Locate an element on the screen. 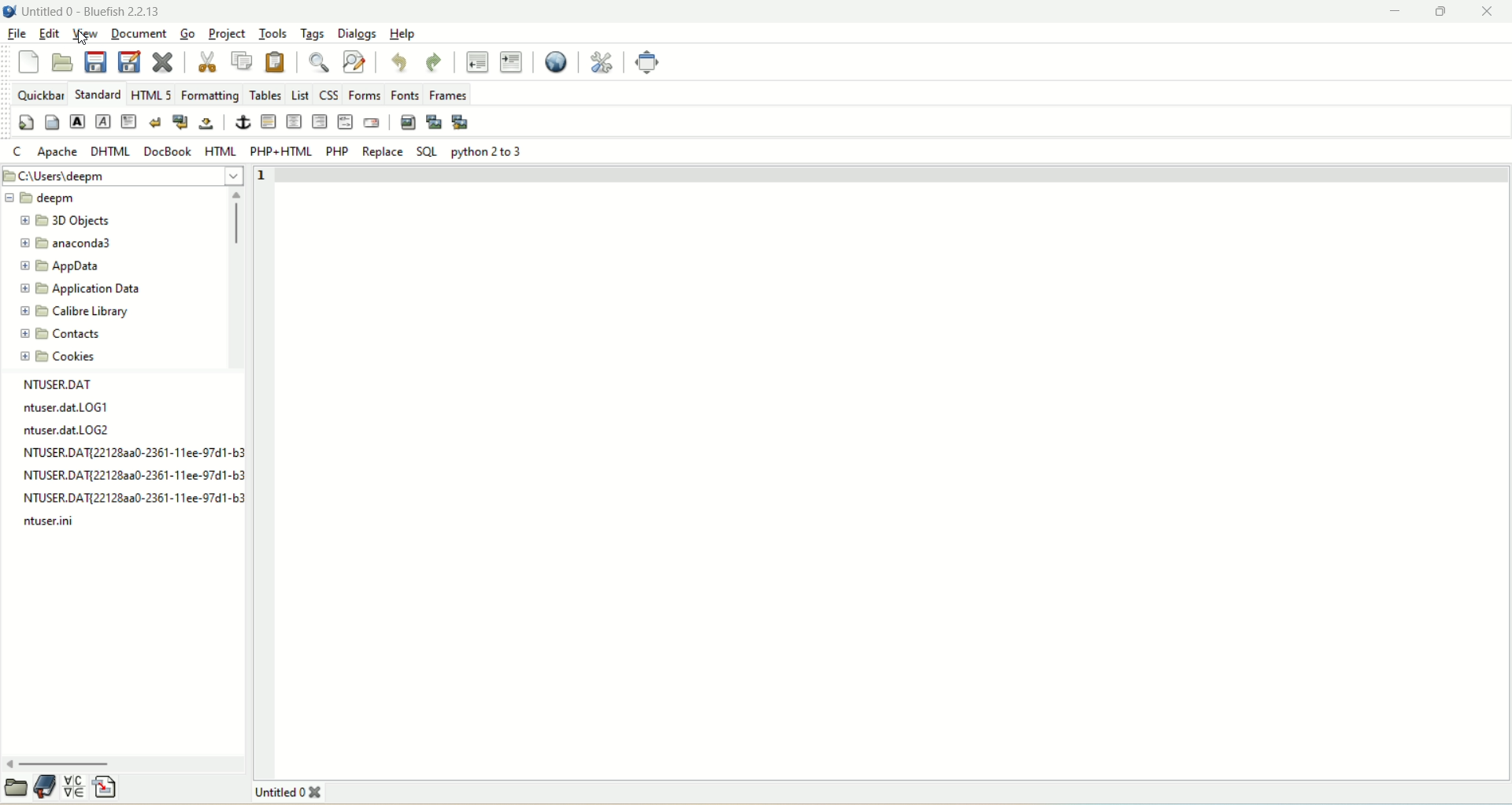 This screenshot has width=1512, height=805. right justify is located at coordinates (320, 121).